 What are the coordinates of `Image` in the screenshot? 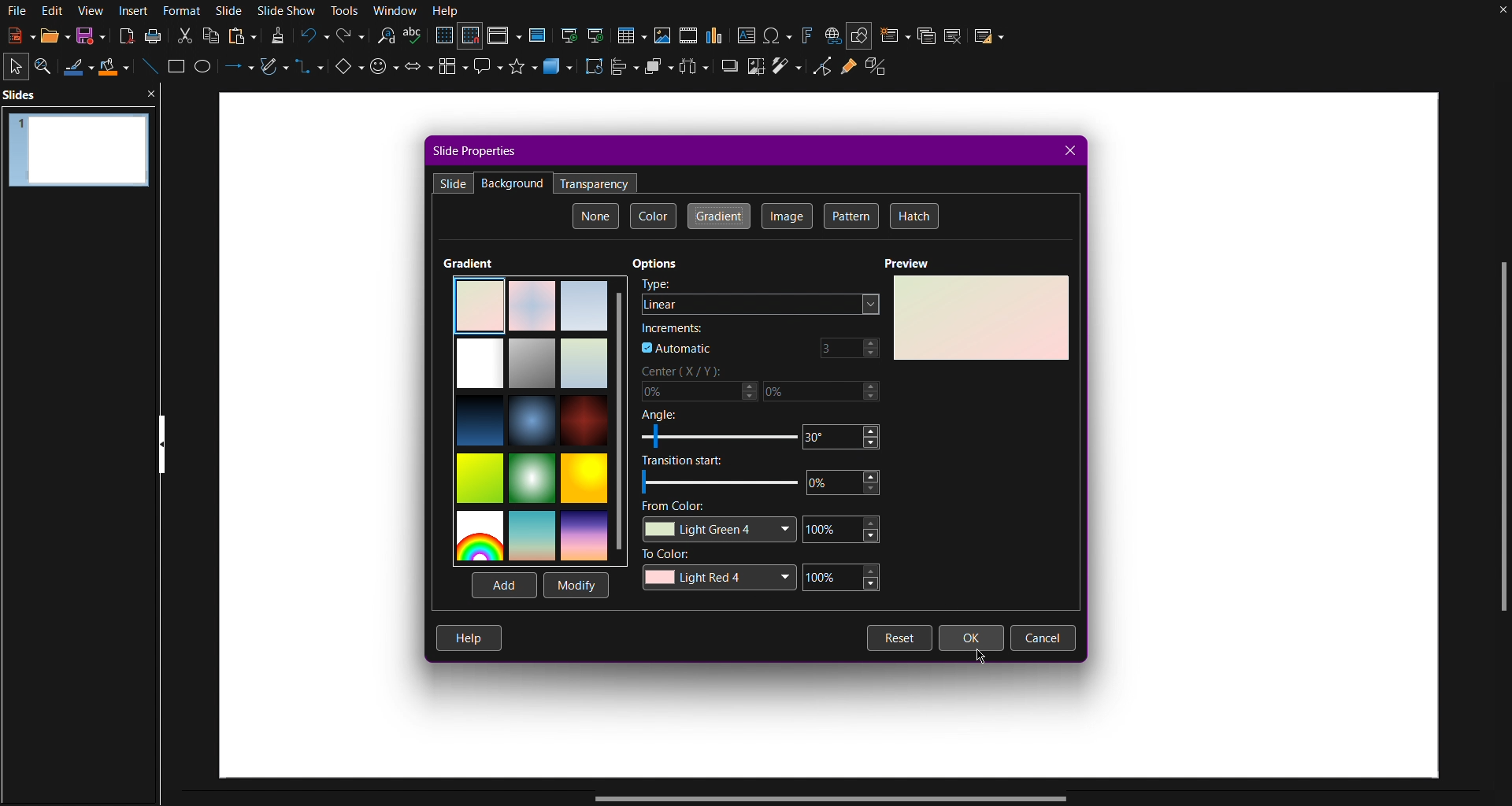 It's located at (787, 216).